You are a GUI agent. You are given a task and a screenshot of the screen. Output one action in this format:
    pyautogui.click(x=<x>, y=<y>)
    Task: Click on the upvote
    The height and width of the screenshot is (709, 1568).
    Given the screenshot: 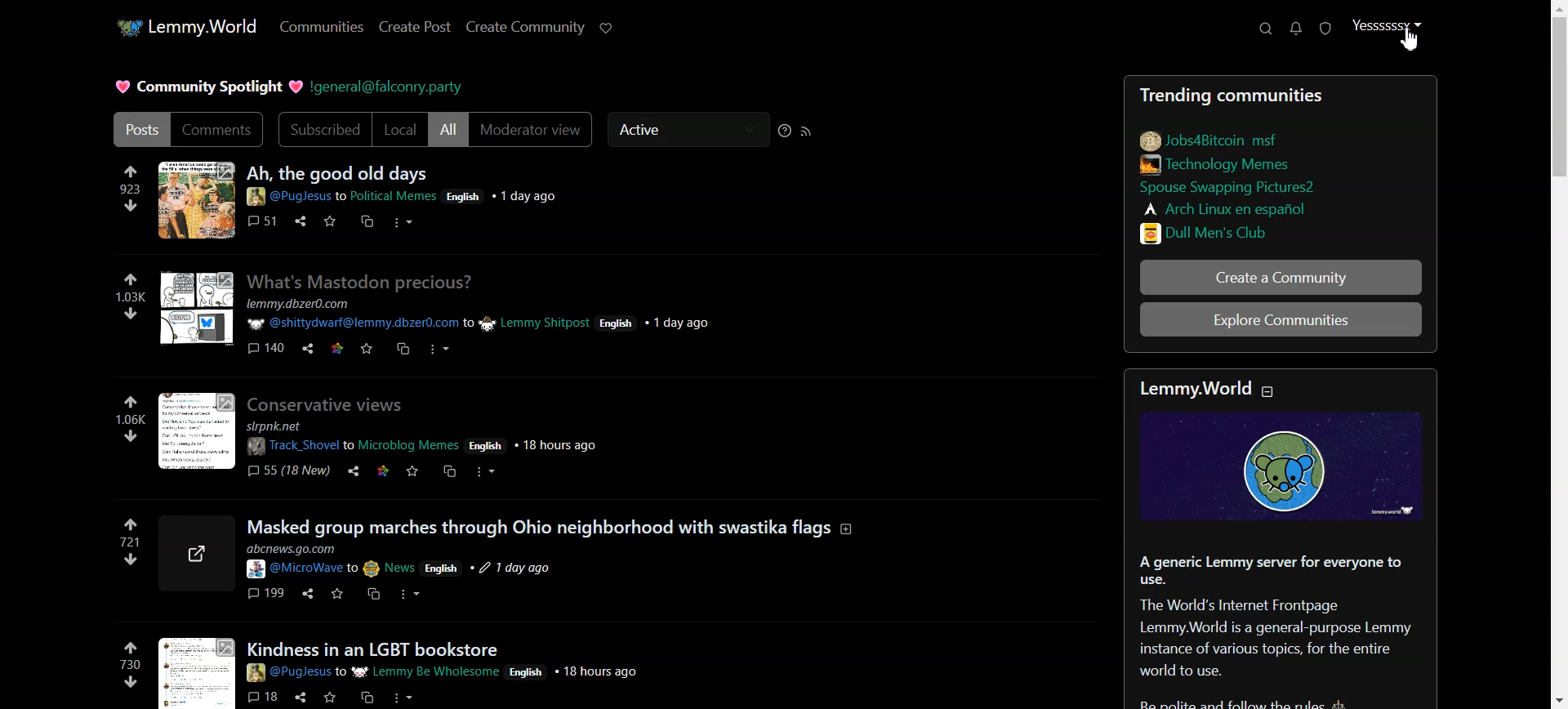 What is the action you would take?
    pyautogui.click(x=131, y=403)
    